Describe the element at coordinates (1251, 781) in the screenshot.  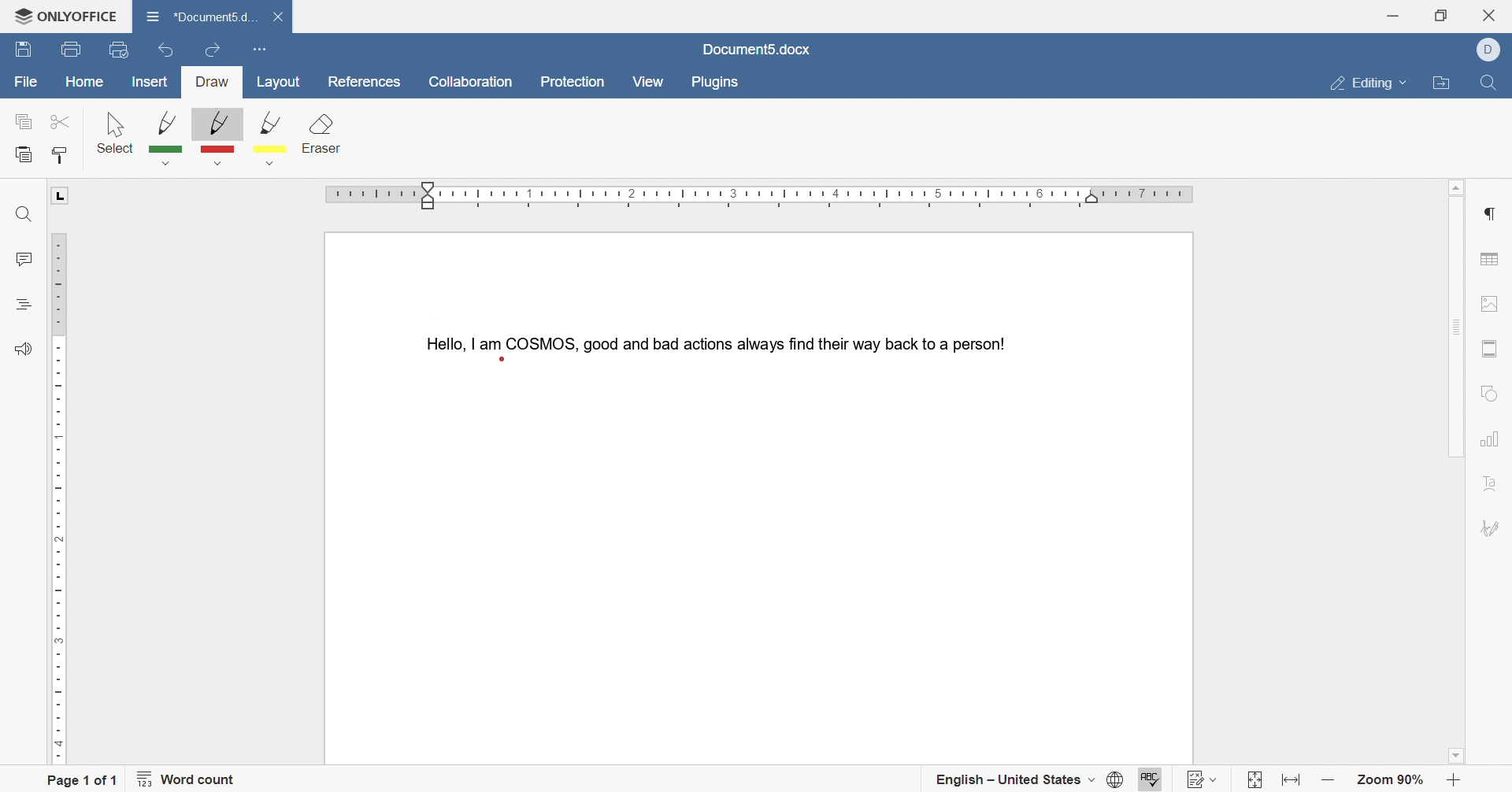
I see `fit to page` at that location.